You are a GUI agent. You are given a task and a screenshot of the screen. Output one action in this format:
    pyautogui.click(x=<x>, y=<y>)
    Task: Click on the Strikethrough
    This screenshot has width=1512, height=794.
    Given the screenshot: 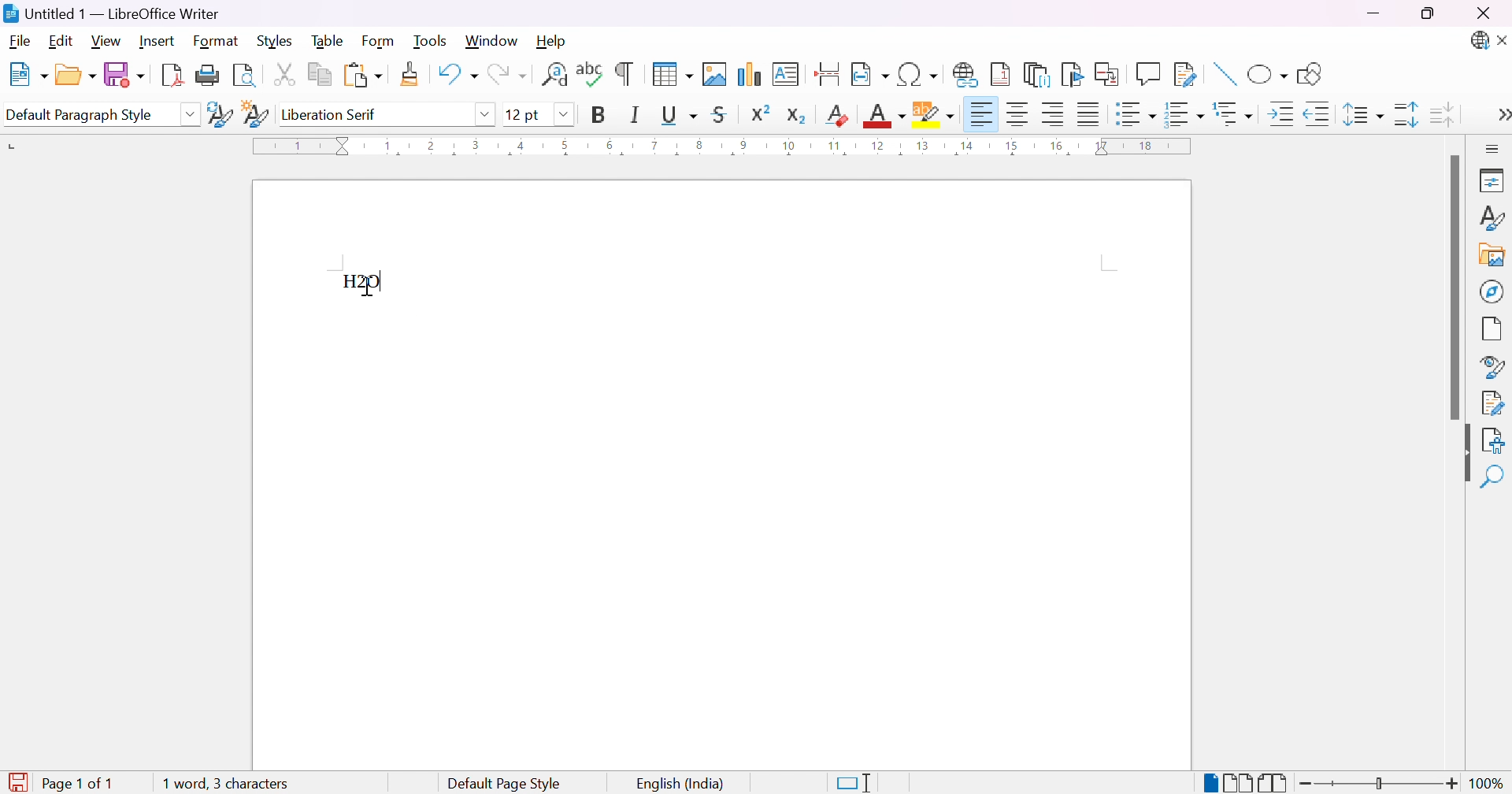 What is the action you would take?
    pyautogui.click(x=723, y=114)
    